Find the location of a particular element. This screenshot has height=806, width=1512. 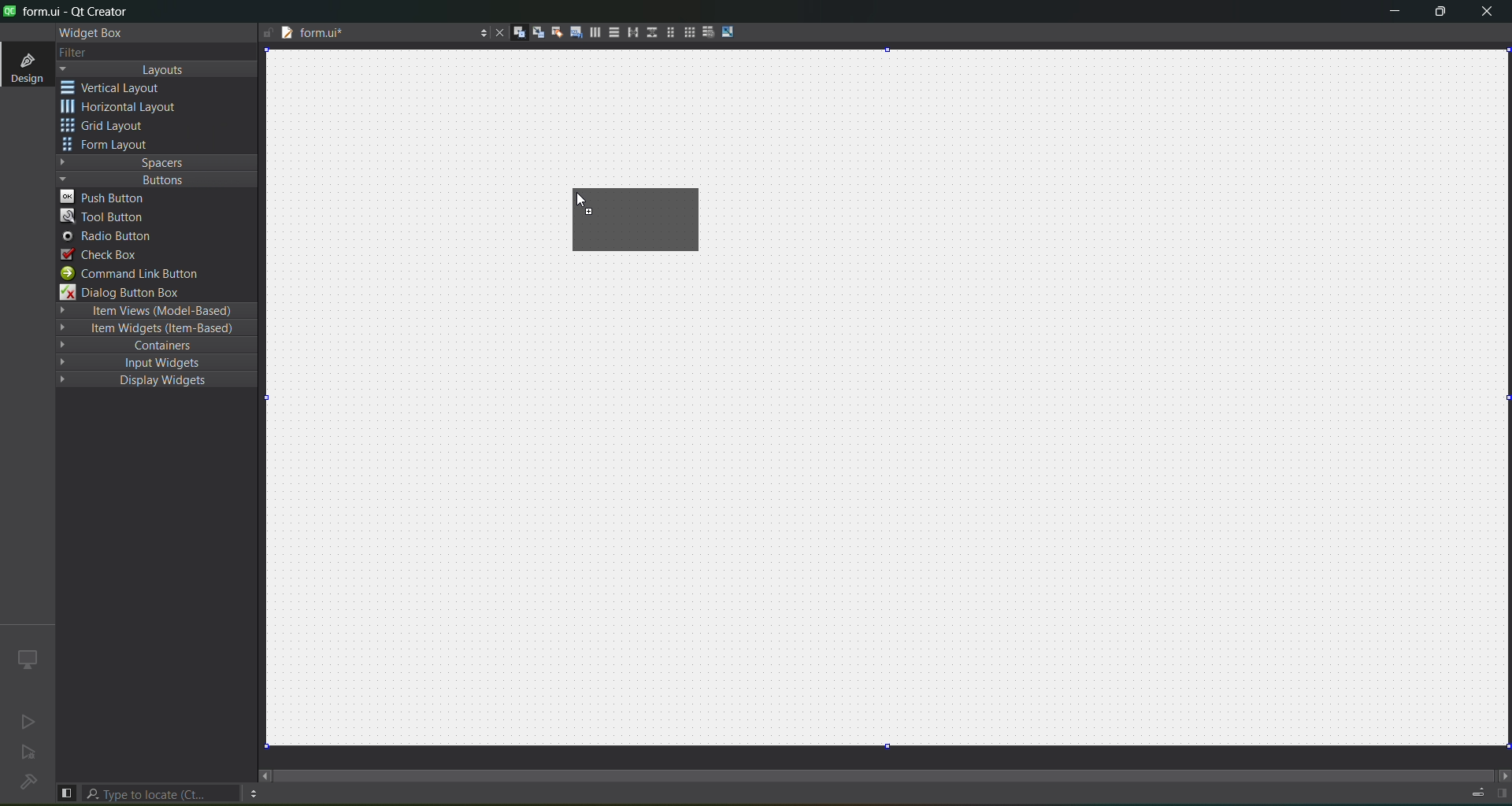

icon is located at coordinates (26, 658).